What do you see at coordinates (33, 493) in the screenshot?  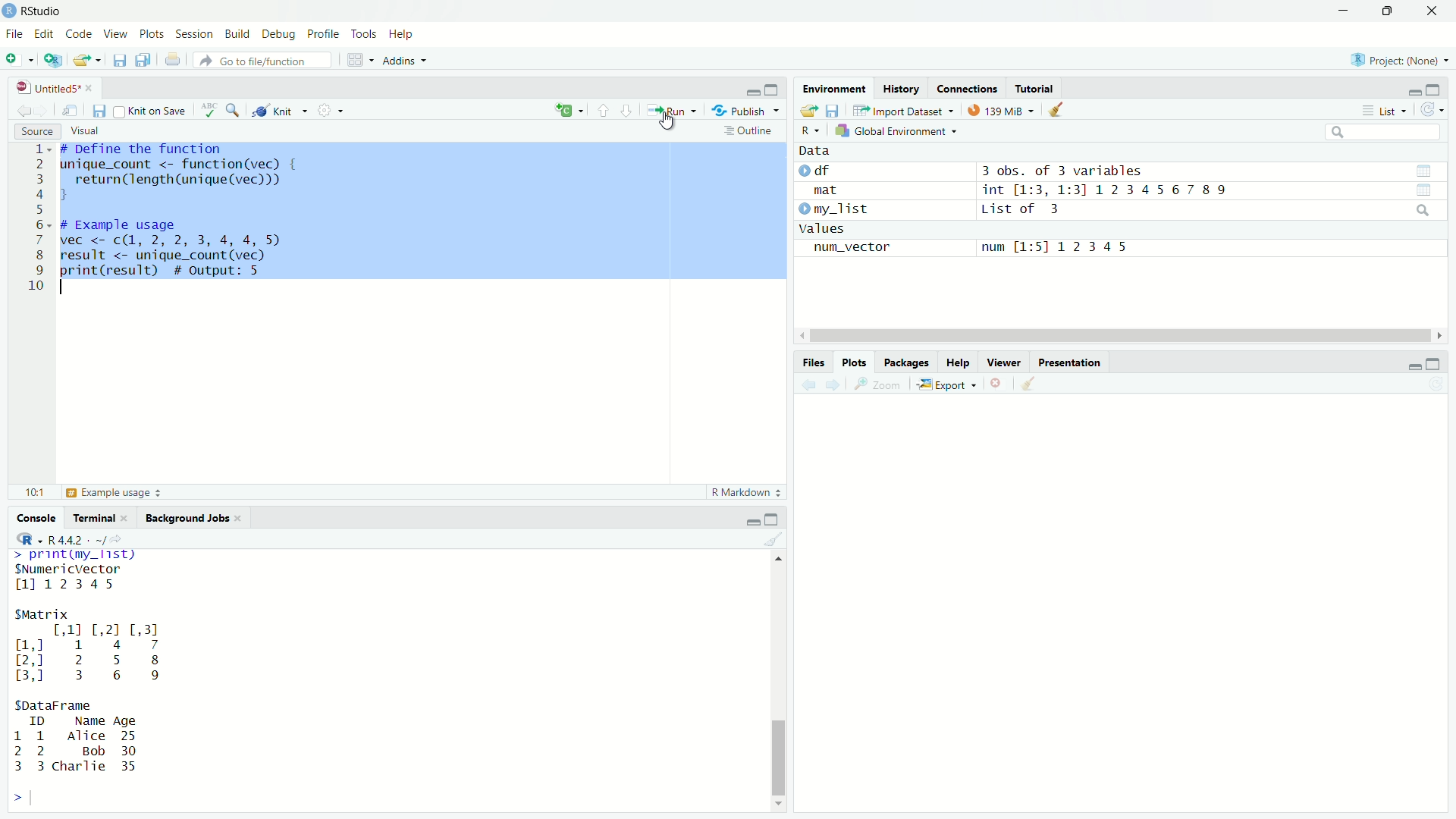 I see `10:1` at bounding box center [33, 493].